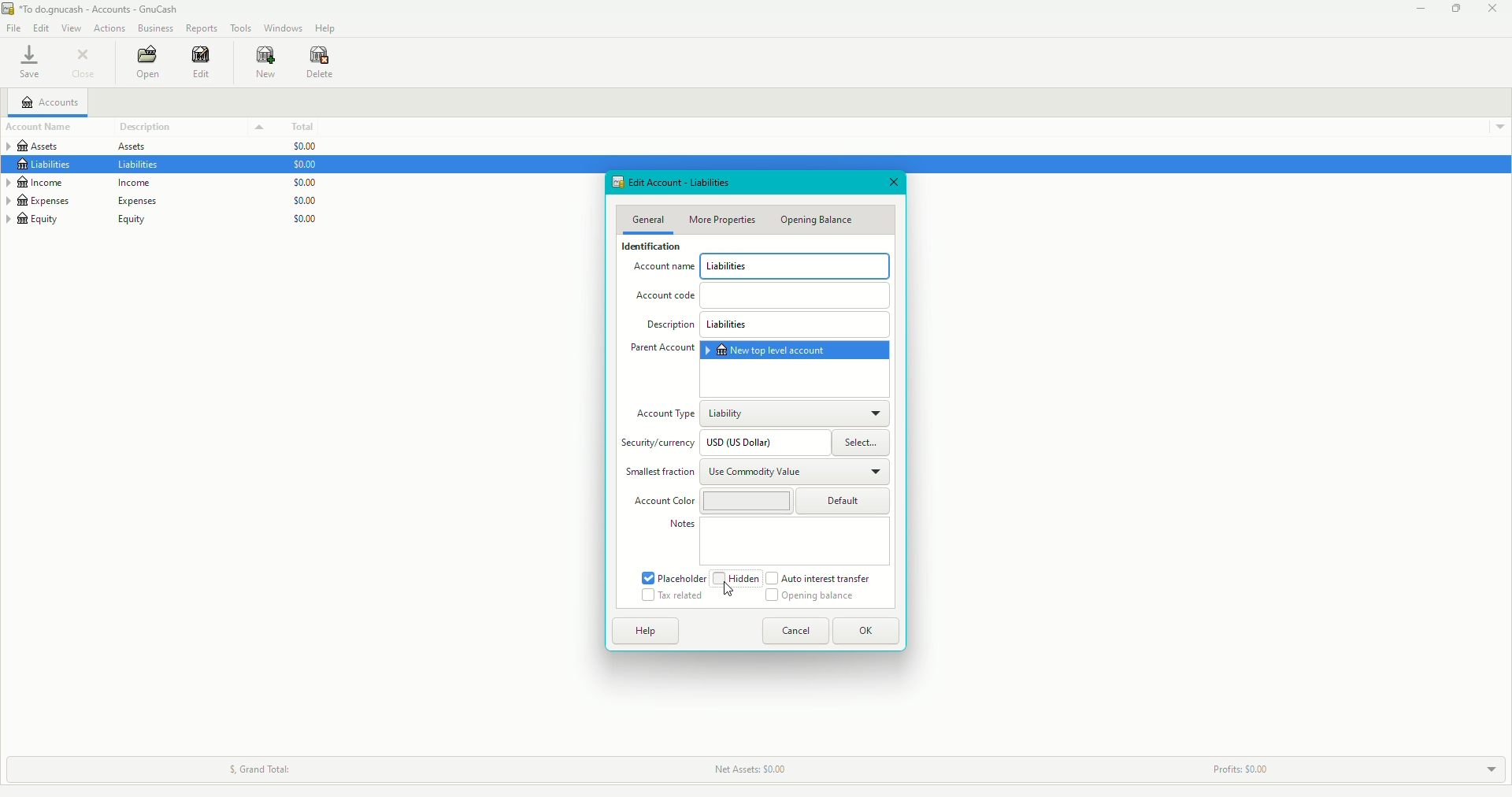 Image resolution: width=1512 pixels, height=797 pixels. Describe the element at coordinates (665, 269) in the screenshot. I see `Account Name` at that location.